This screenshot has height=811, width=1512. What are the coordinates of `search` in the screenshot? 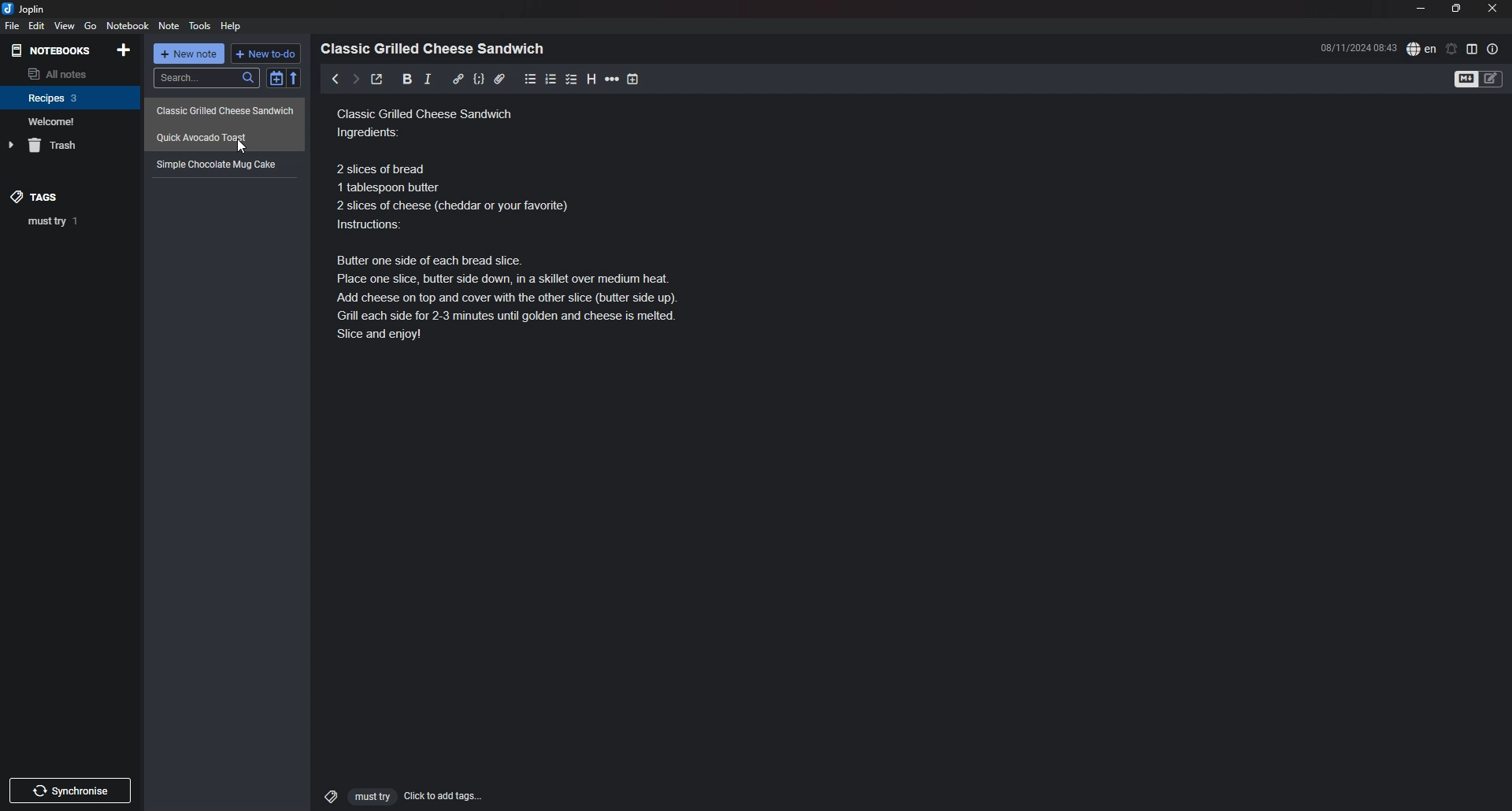 It's located at (206, 78).